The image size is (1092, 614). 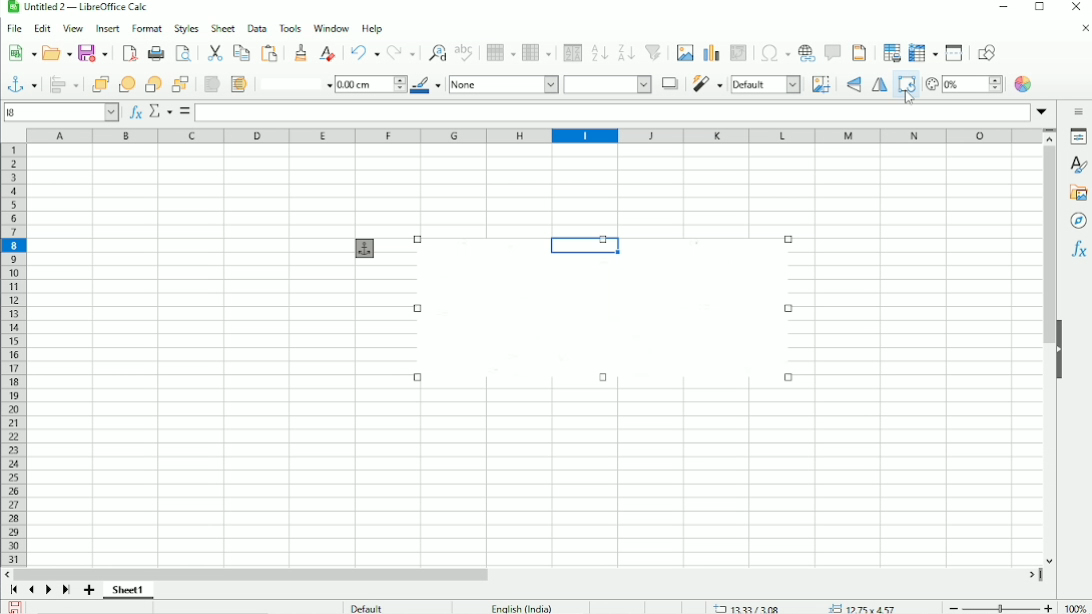 I want to click on Autofilter, so click(x=655, y=53).